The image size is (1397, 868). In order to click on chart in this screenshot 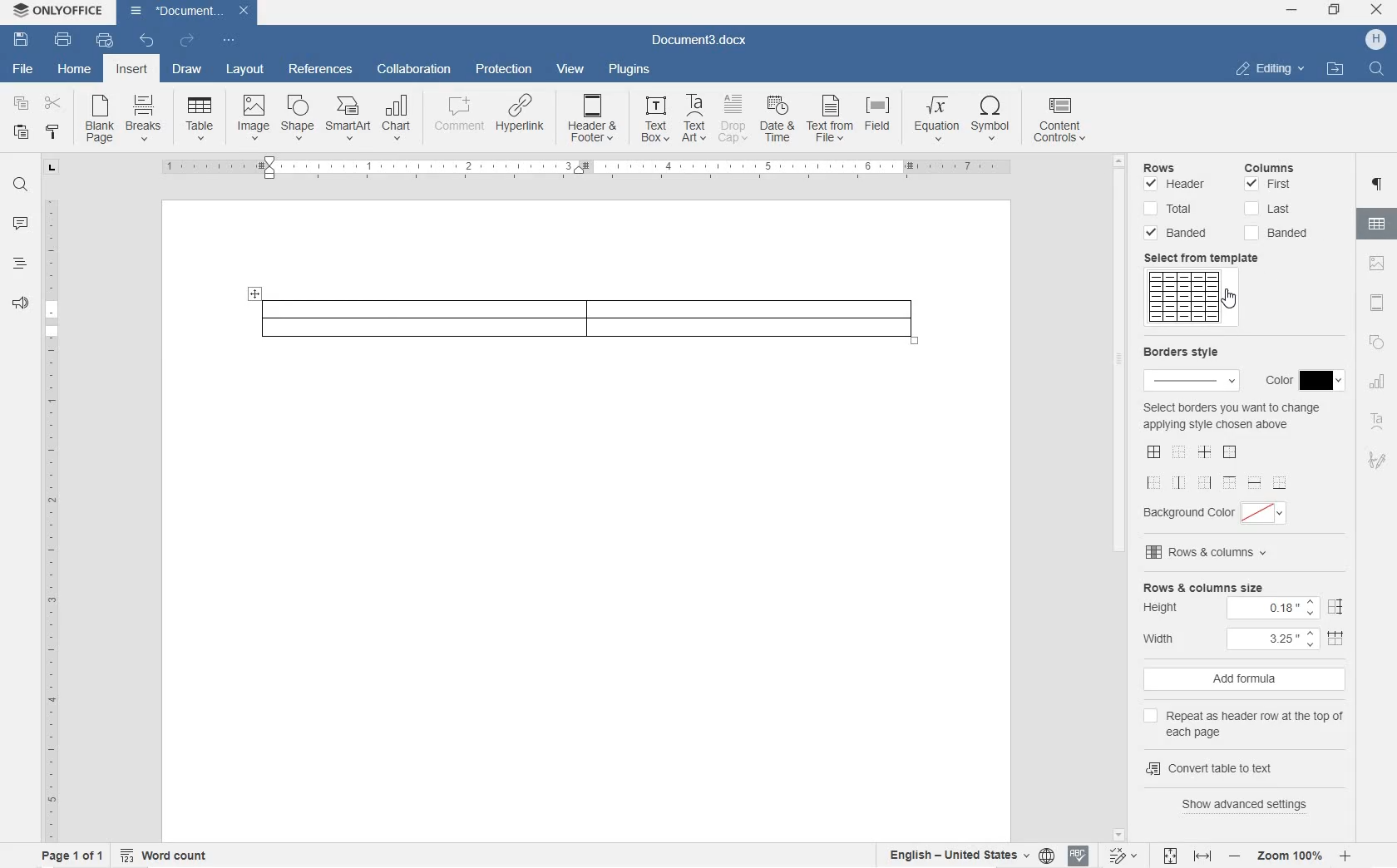, I will do `click(397, 118)`.